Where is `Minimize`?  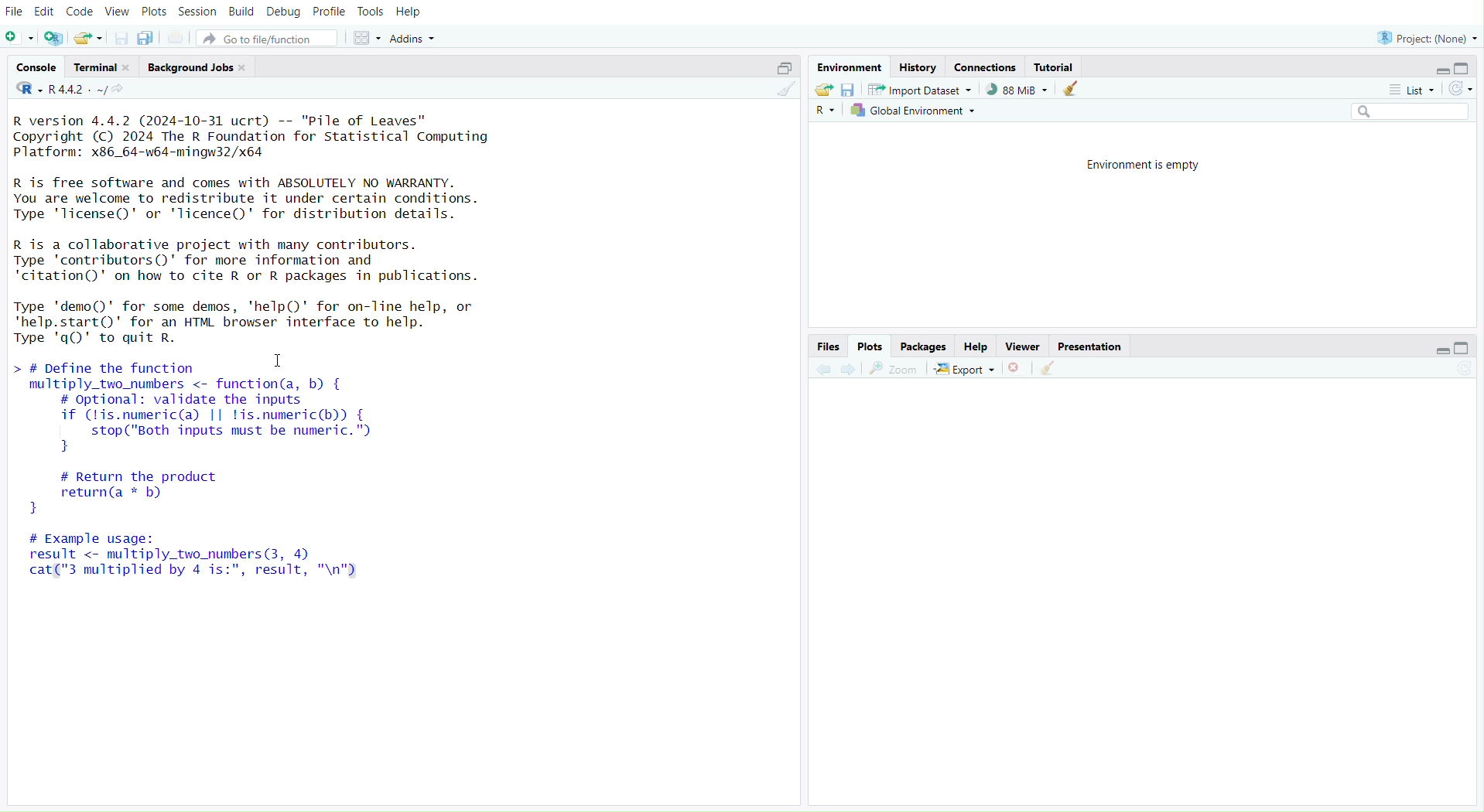 Minimize is located at coordinates (1442, 70).